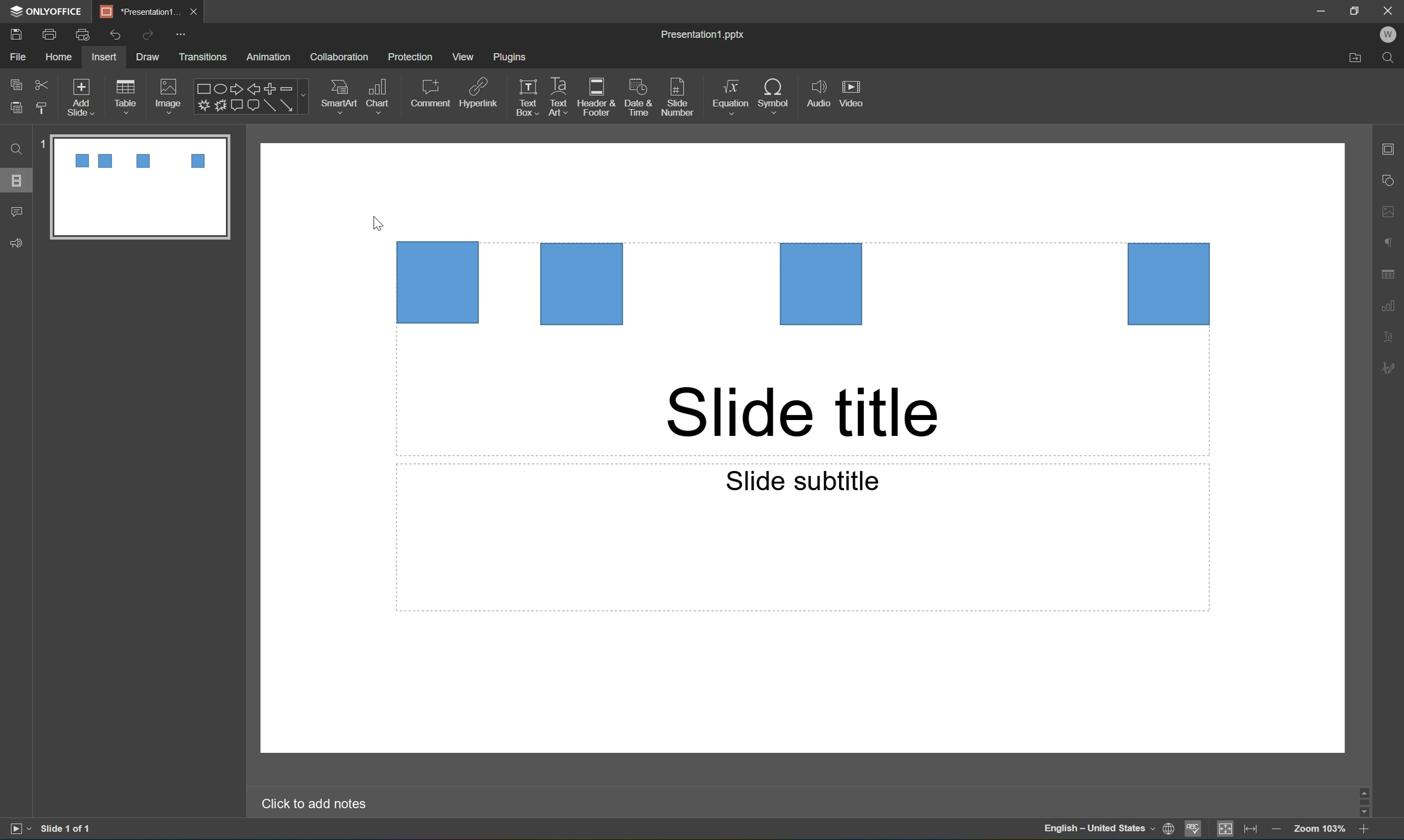 Image resolution: width=1404 pixels, height=840 pixels. I want to click on image settings, so click(1393, 213).